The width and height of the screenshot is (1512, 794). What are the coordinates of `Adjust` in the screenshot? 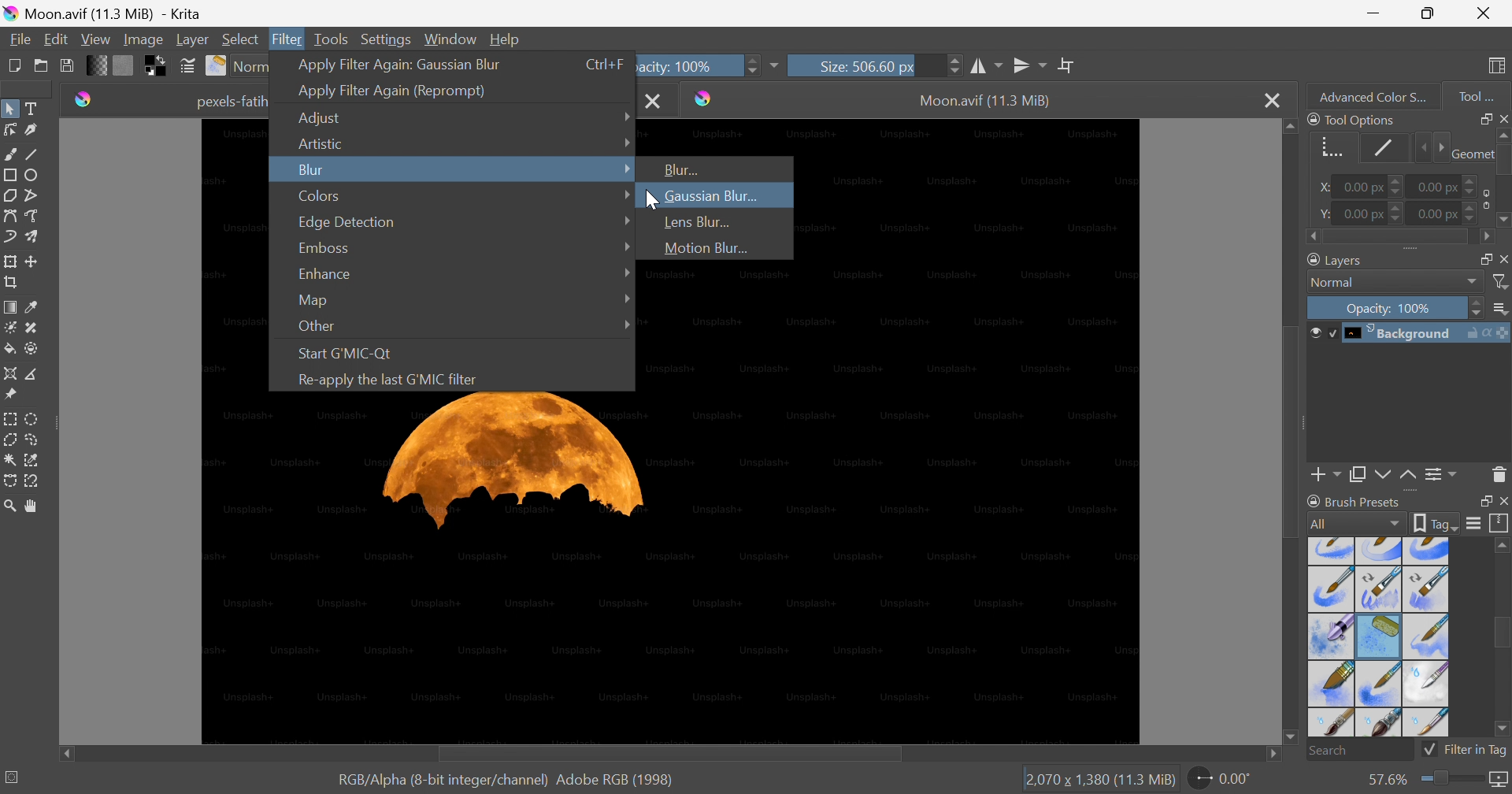 It's located at (322, 118).